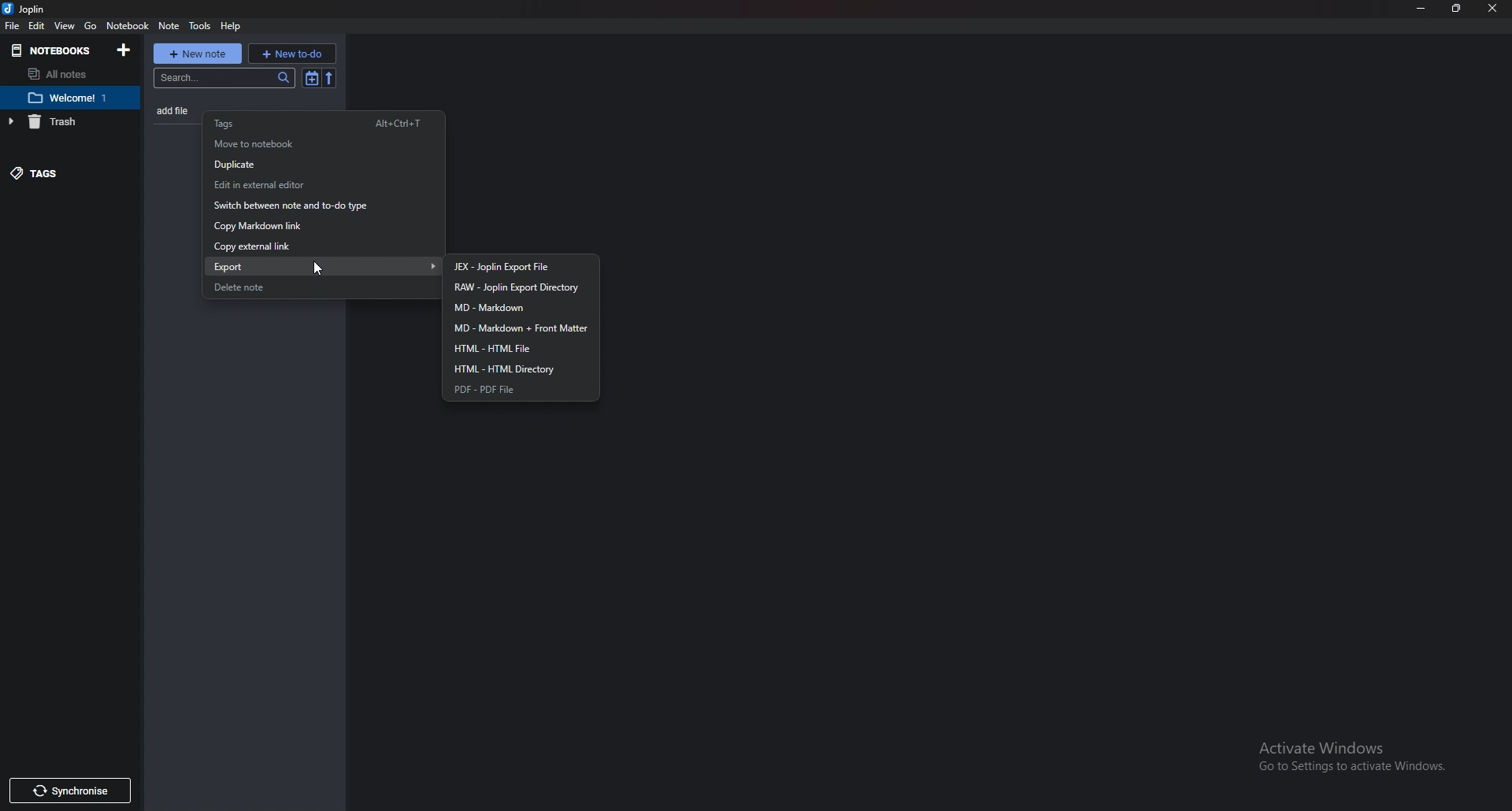 Image resolution: width=1512 pixels, height=811 pixels. Describe the element at coordinates (328, 265) in the screenshot. I see `Export` at that location.